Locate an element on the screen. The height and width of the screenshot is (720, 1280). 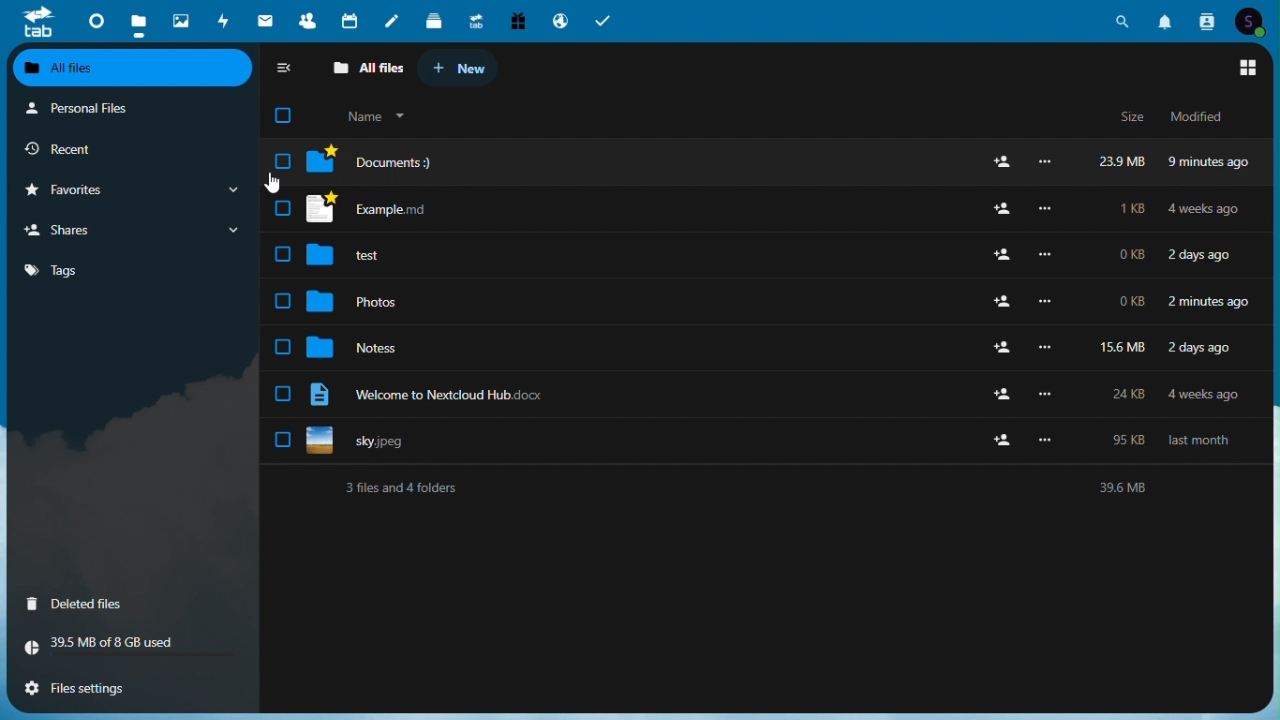
all files is located at coordinates (131, 68).